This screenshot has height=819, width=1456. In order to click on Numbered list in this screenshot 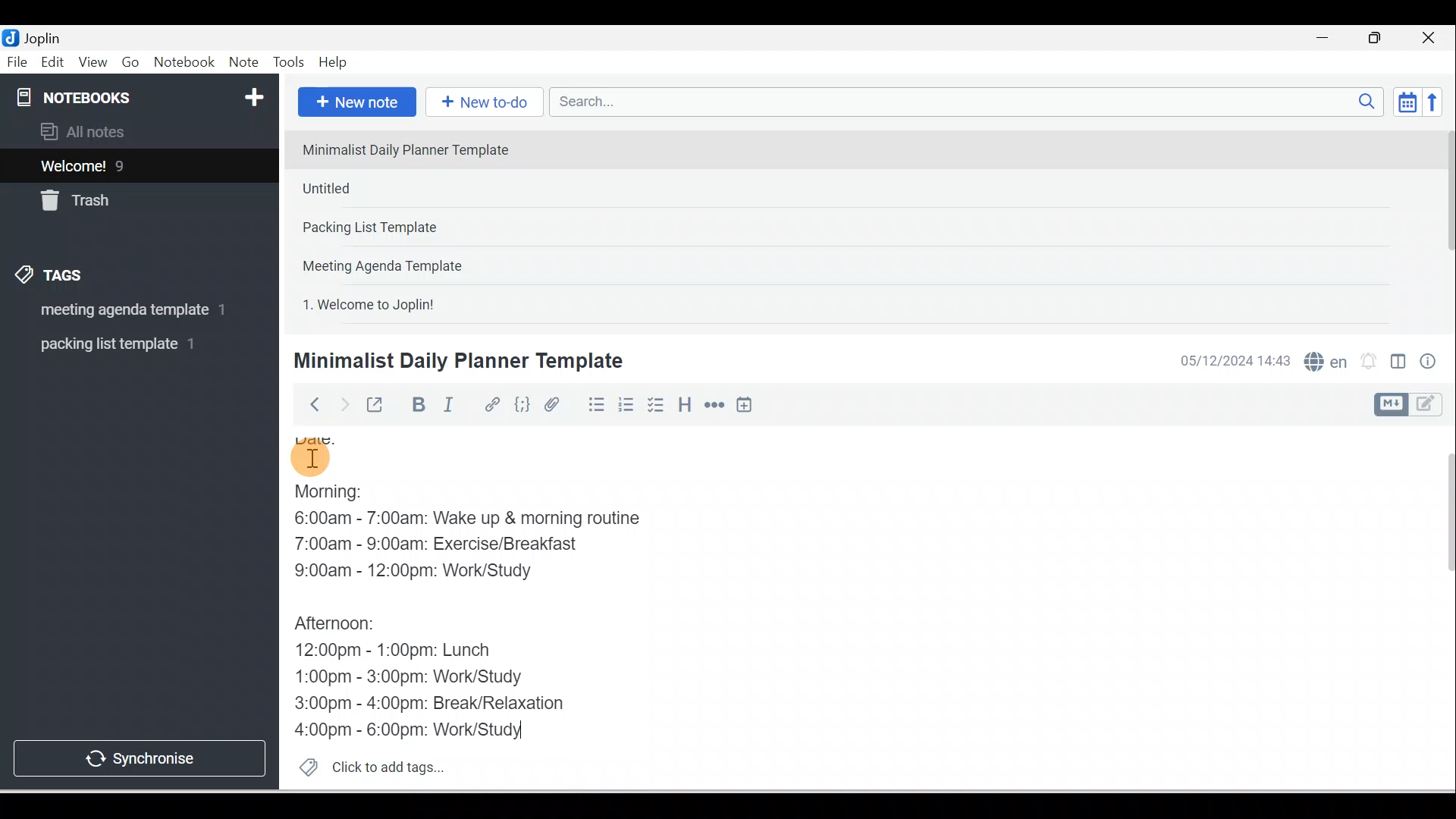, I will do `click(626, 404)`.